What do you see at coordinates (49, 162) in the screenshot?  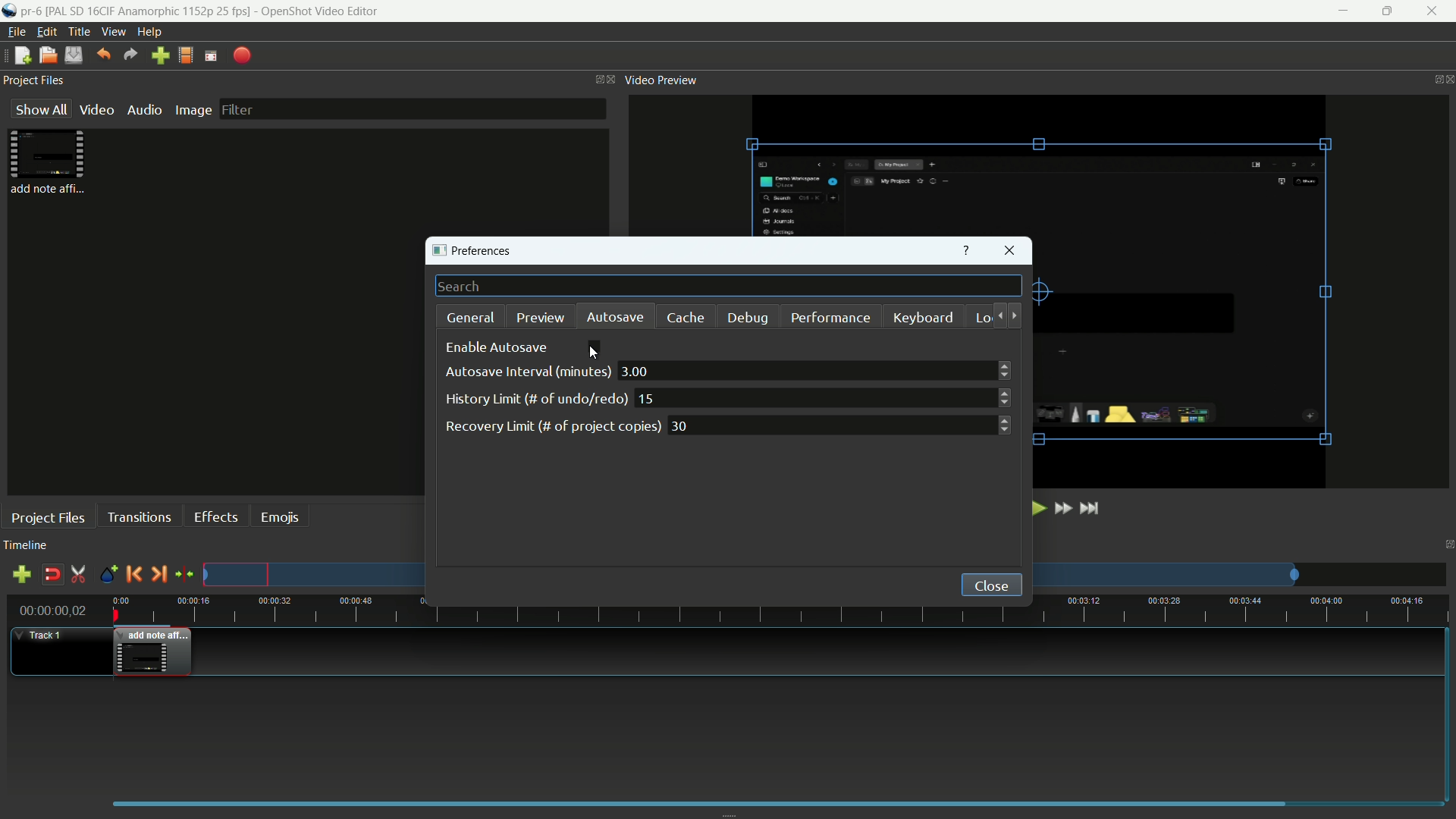 I see `project files` at bounding box center [49, 162].